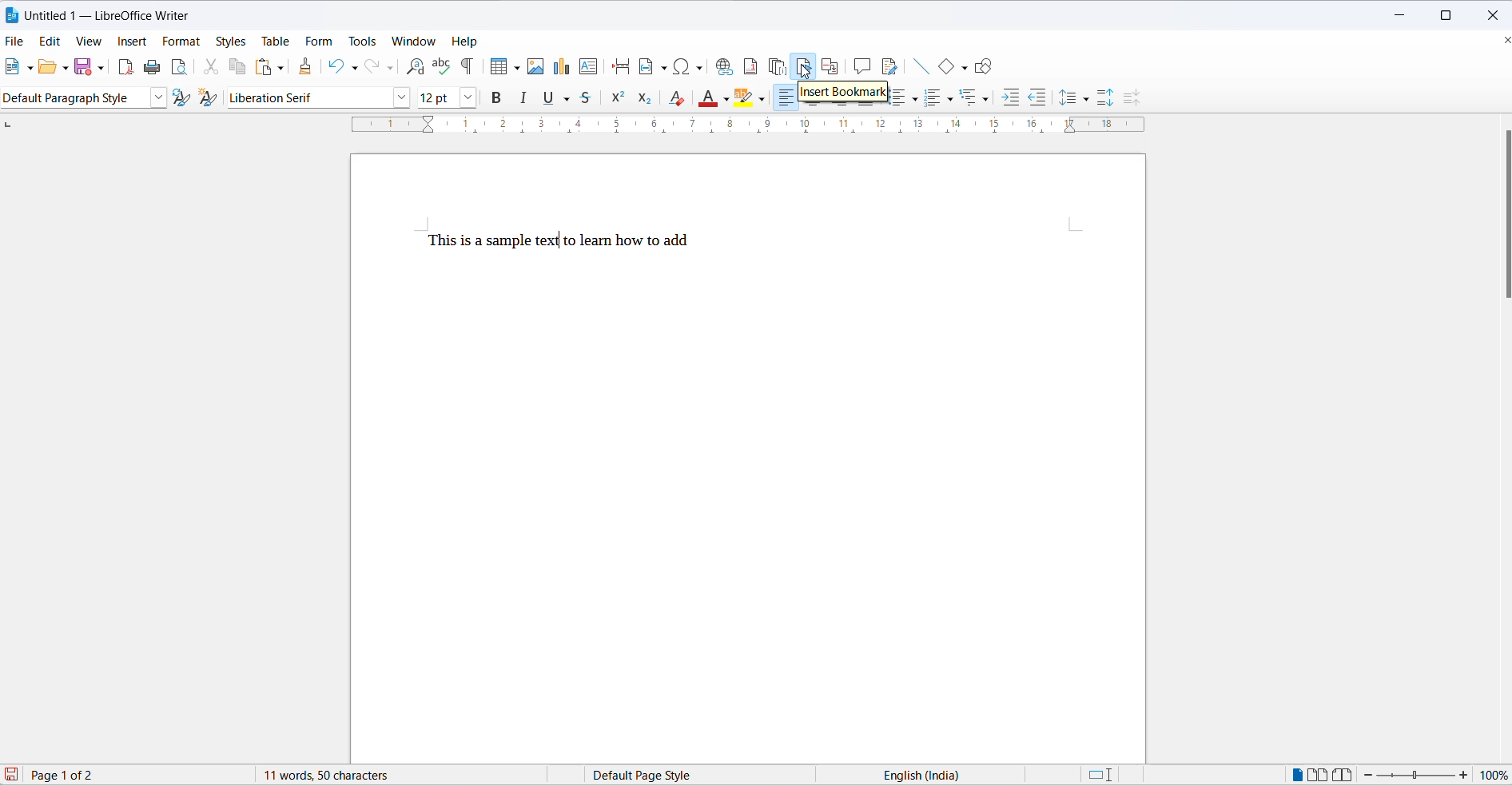 This screenshot has width=1512, height=786. Describe the element at coordinates (156, 98) in the screenshot. I see `style options` at that location.